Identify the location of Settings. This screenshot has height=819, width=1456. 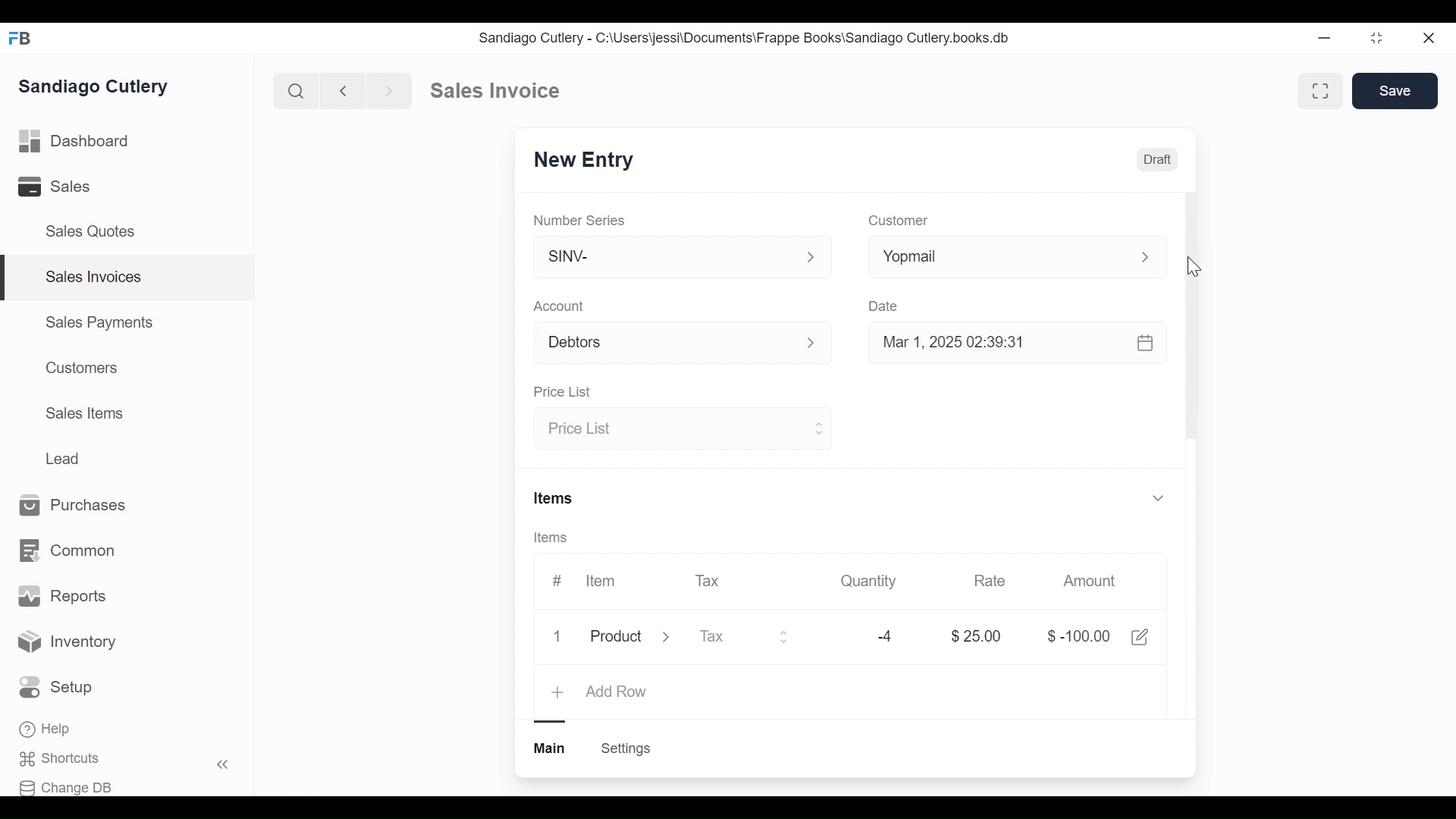
(628, 748).